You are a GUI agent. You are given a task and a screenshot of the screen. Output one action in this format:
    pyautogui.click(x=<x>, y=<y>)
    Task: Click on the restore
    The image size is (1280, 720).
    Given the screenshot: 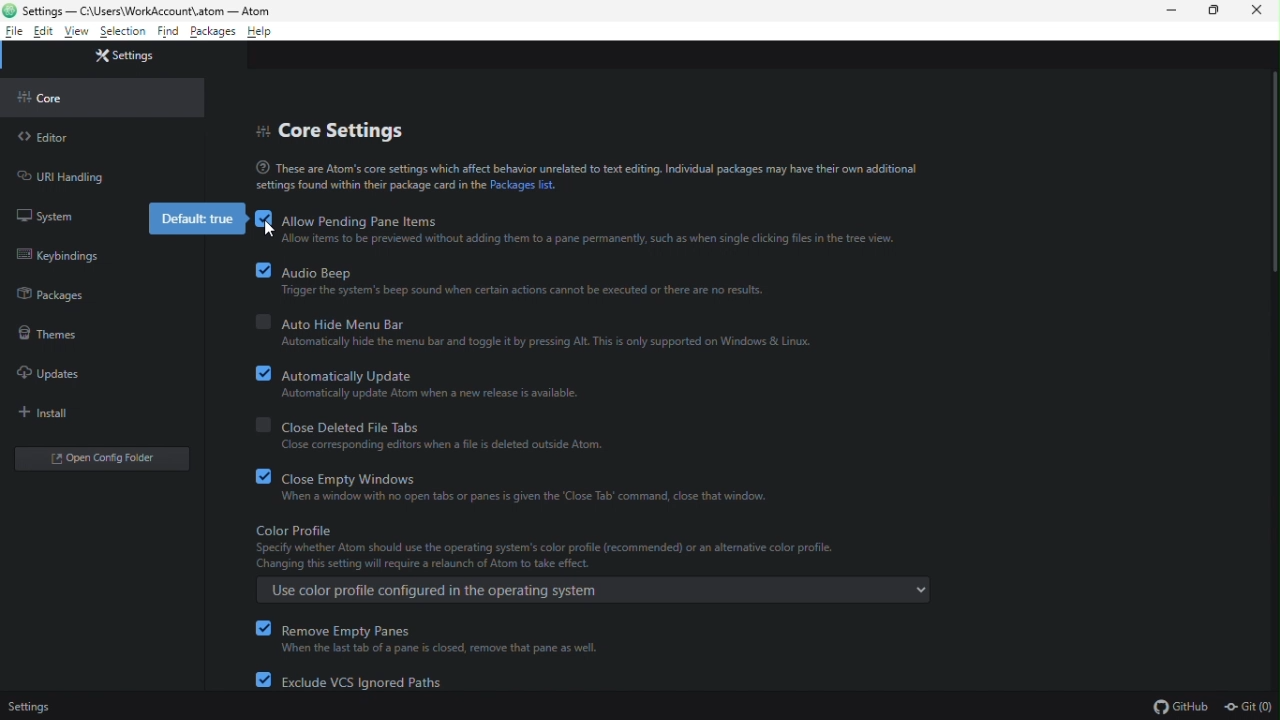 What is the action you would take?
    pyautogui.click(x=1217, y=11)
    